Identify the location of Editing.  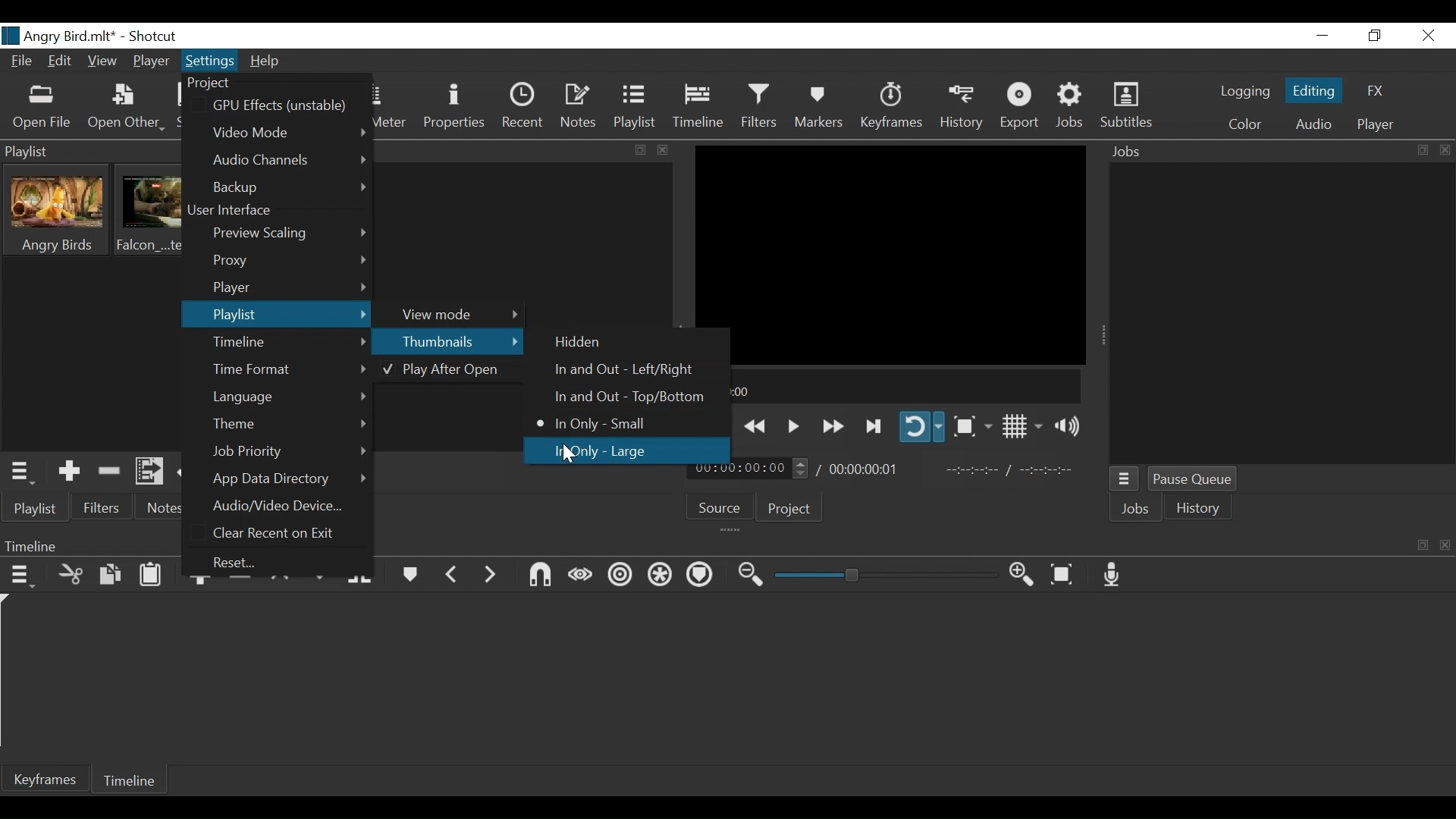
(1314, 91).